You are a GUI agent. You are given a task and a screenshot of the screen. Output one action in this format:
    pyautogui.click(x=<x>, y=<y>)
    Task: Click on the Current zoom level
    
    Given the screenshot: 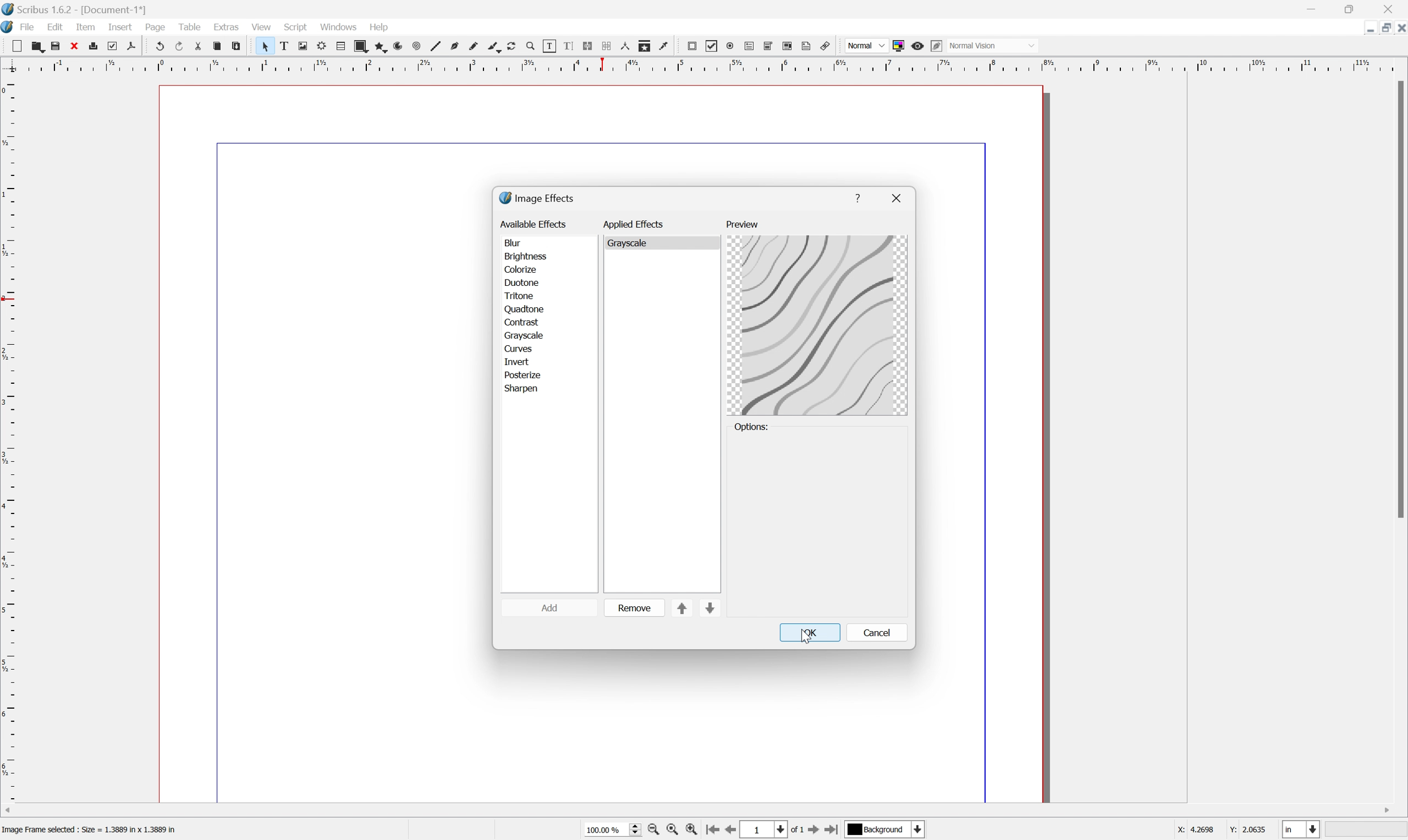 What is the action you would take?
    pyautogui.click(x=612, y=829)
    